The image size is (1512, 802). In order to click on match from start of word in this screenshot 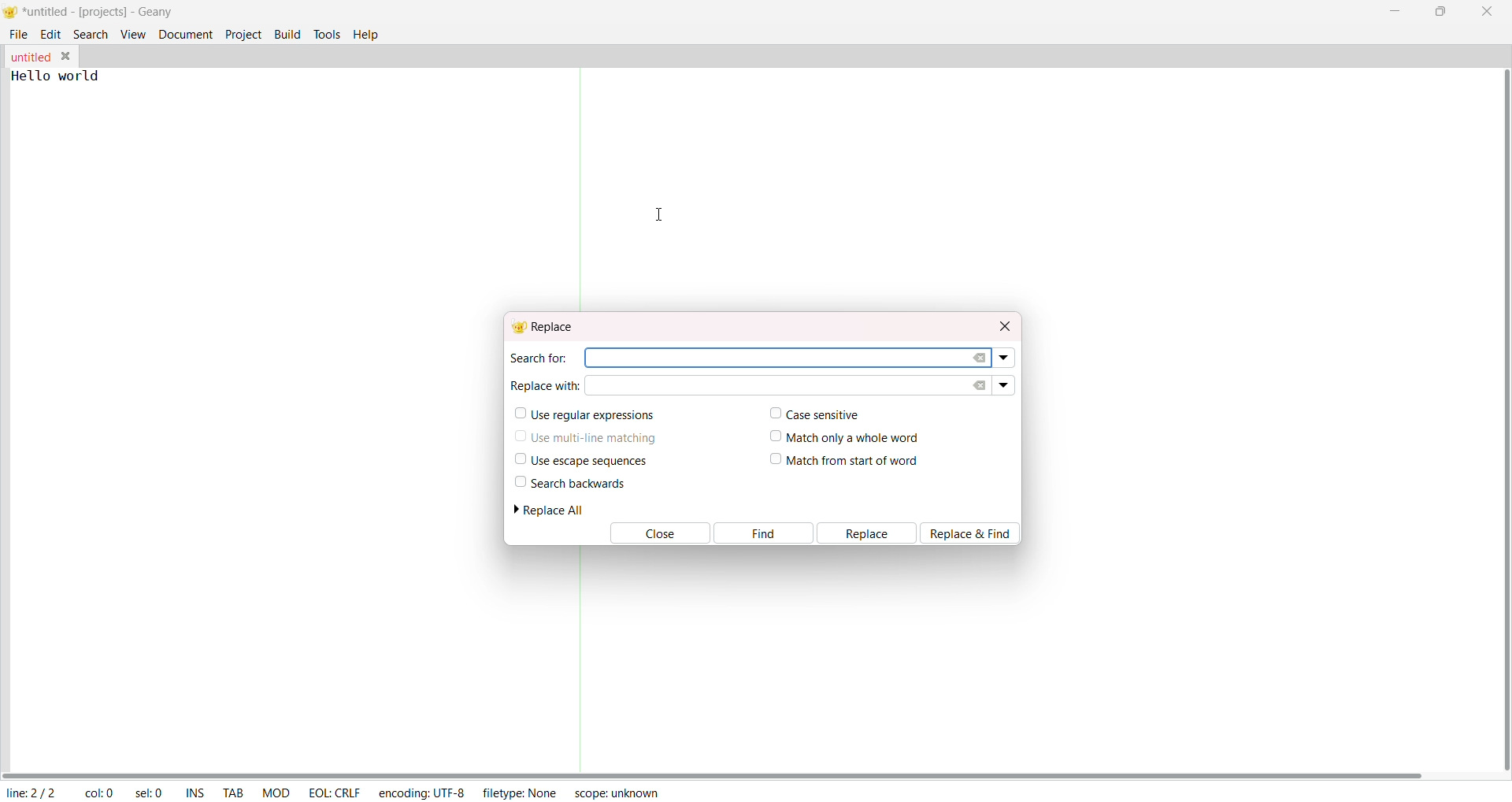, I will do `click(845, 462)`.